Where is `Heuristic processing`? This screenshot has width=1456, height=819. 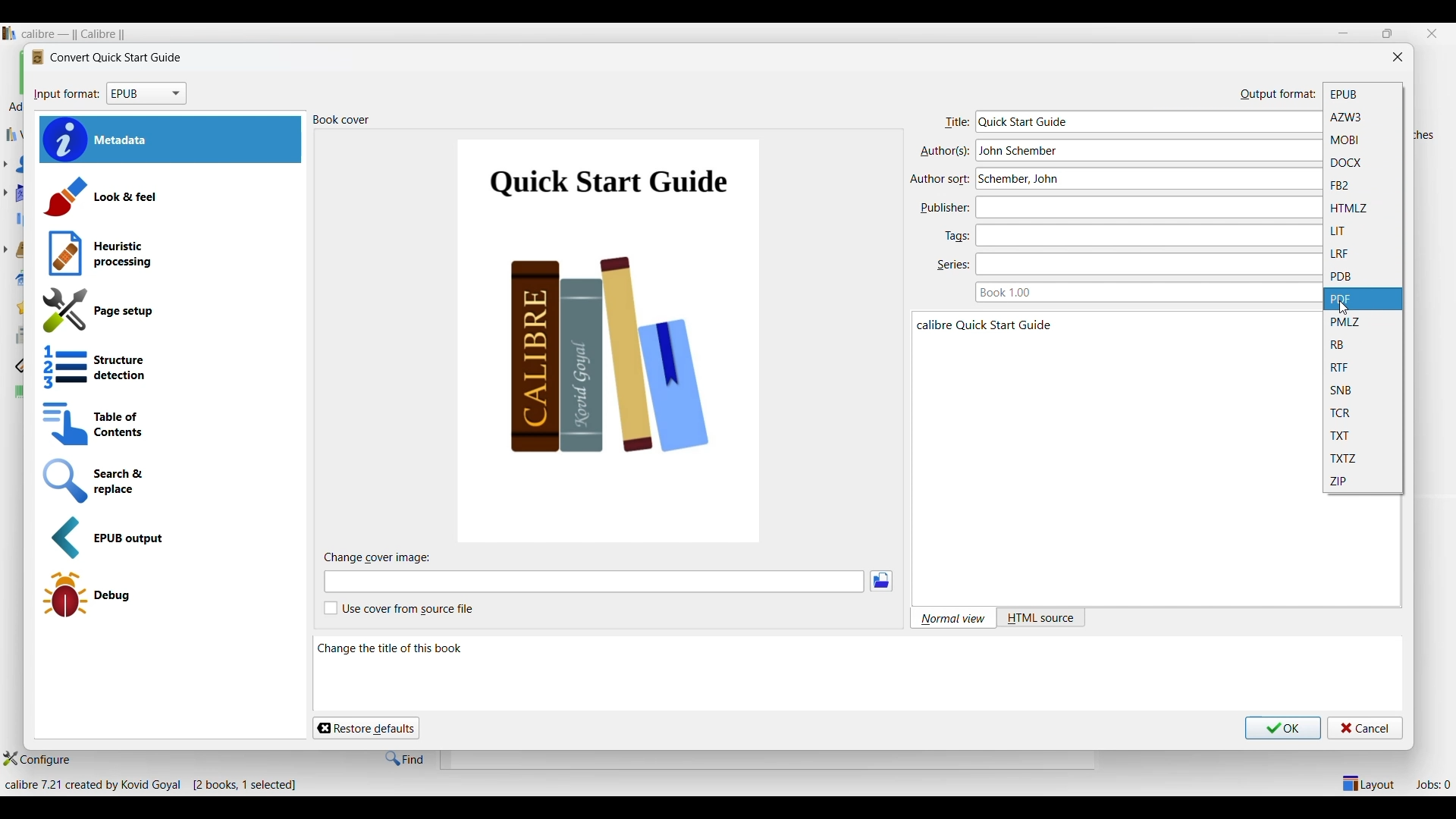 Heuristic processing is located at coordinates (173, 253).